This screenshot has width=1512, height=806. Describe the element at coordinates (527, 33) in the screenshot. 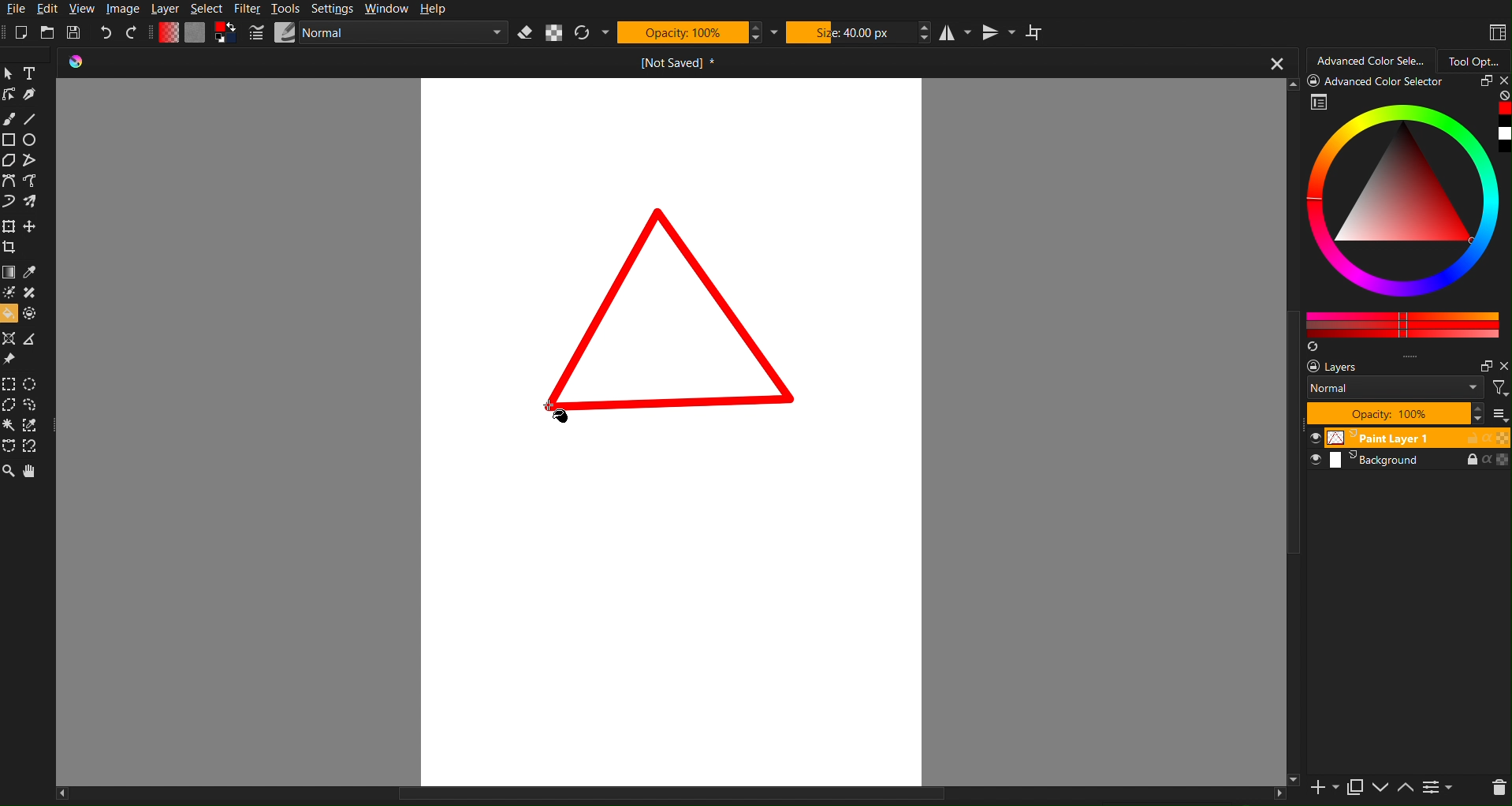

I see `Erase` at that location.